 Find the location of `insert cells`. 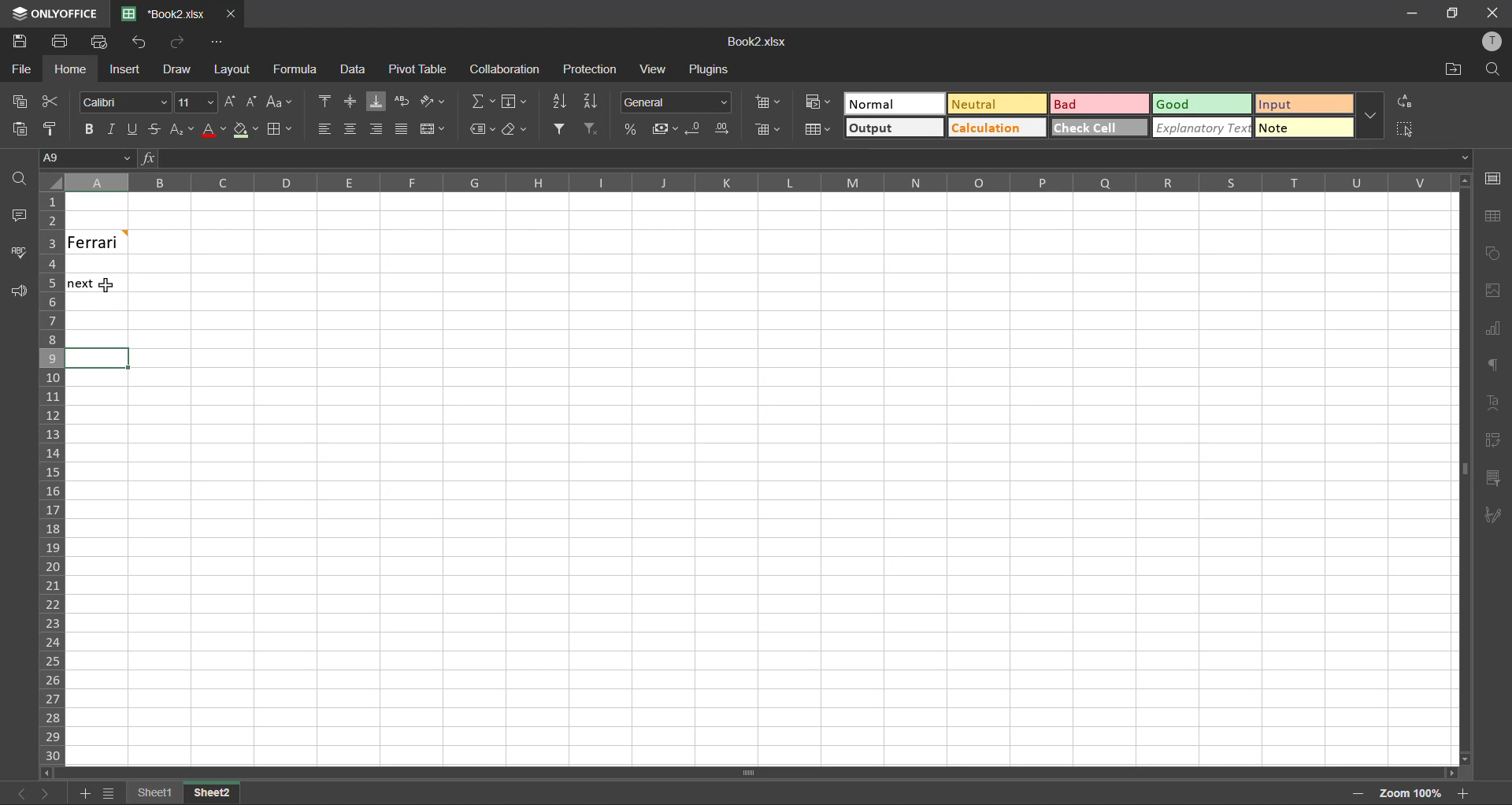

insert cells is located at coordinates (767, 102).